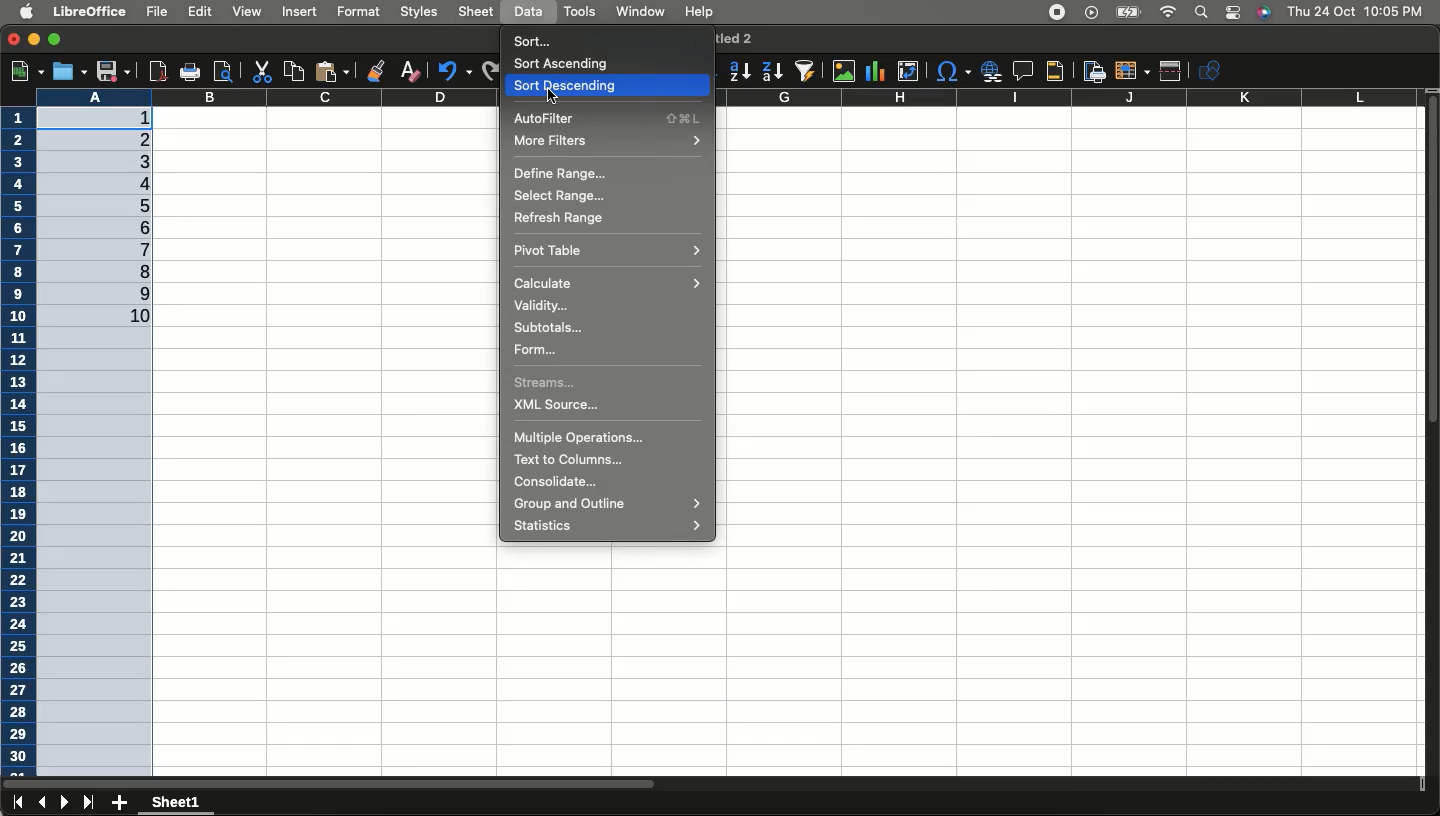 Image resolution: width=1440 pixels, height=816 pixels. What do you see at coordinates (302, 14) in the screenshot?
I see `Insert` at bounding box center [302, 14].